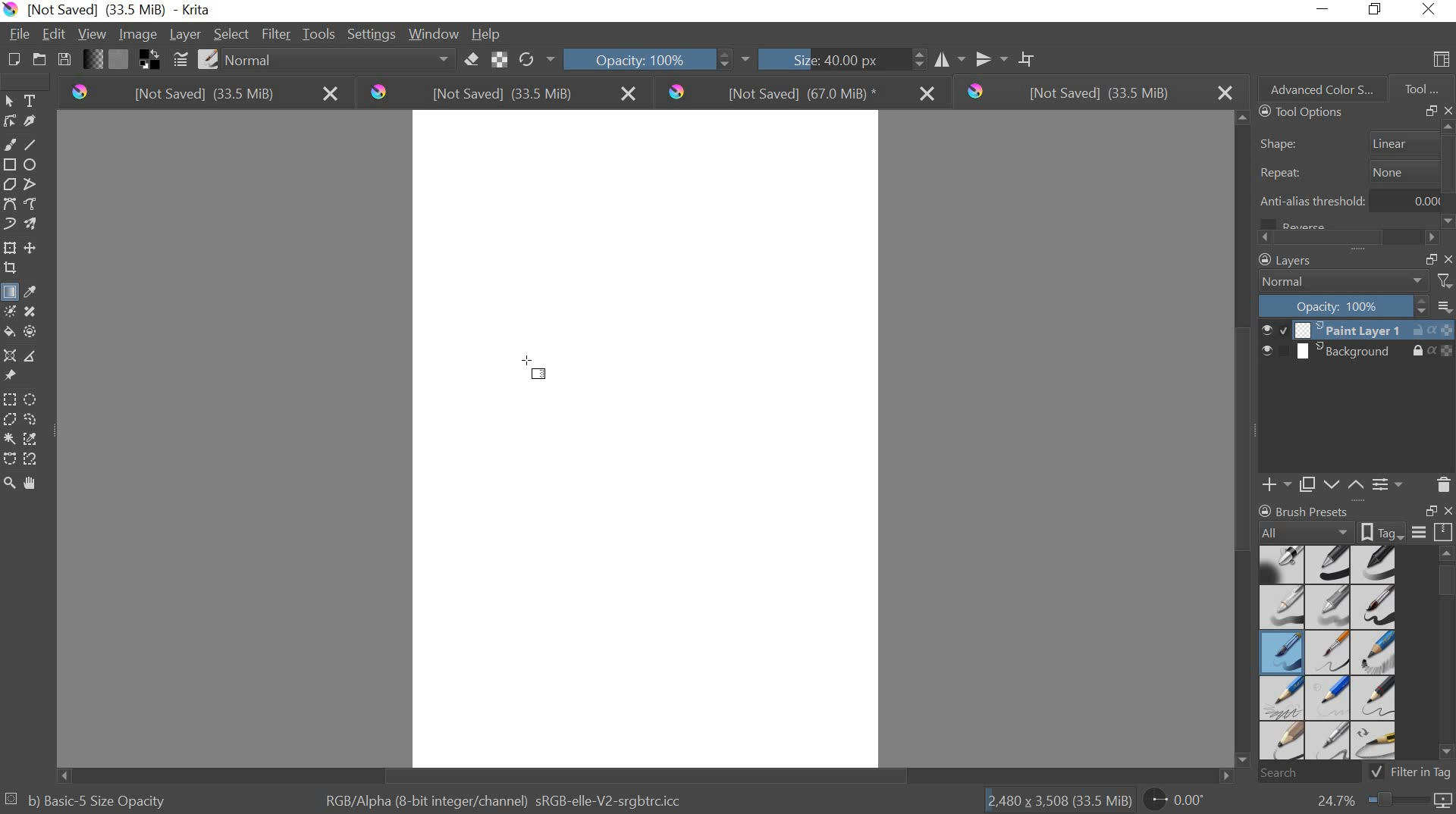 The height and width of the screenshot is (814, 1456). What do you see at coordinates (36, 61) in the screenshot?
I see `OPEN AN EXISTING DOCUMENT` at bounding box center [36, 61].